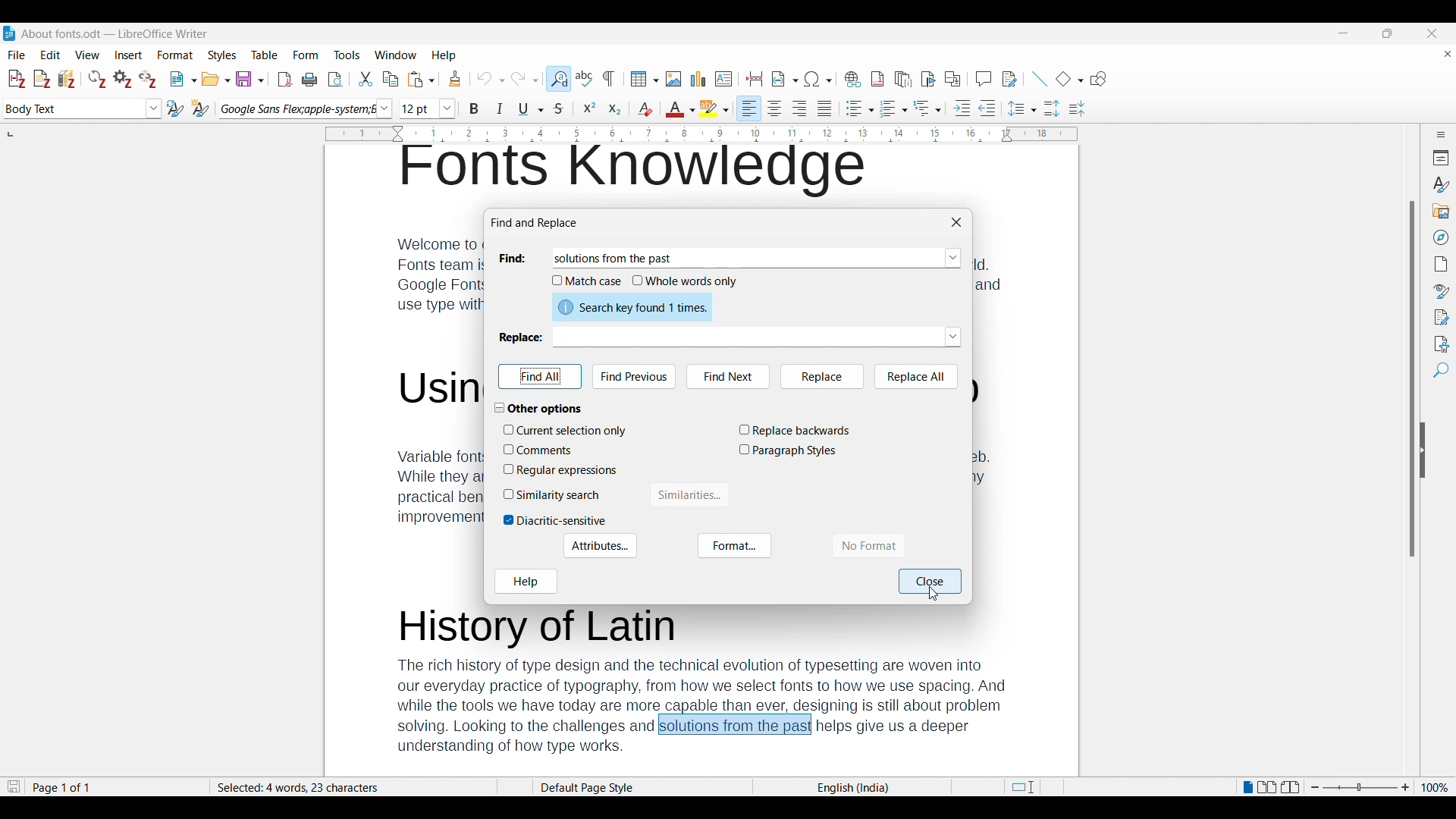  I want to click on Insert text box, so click(724, 79).